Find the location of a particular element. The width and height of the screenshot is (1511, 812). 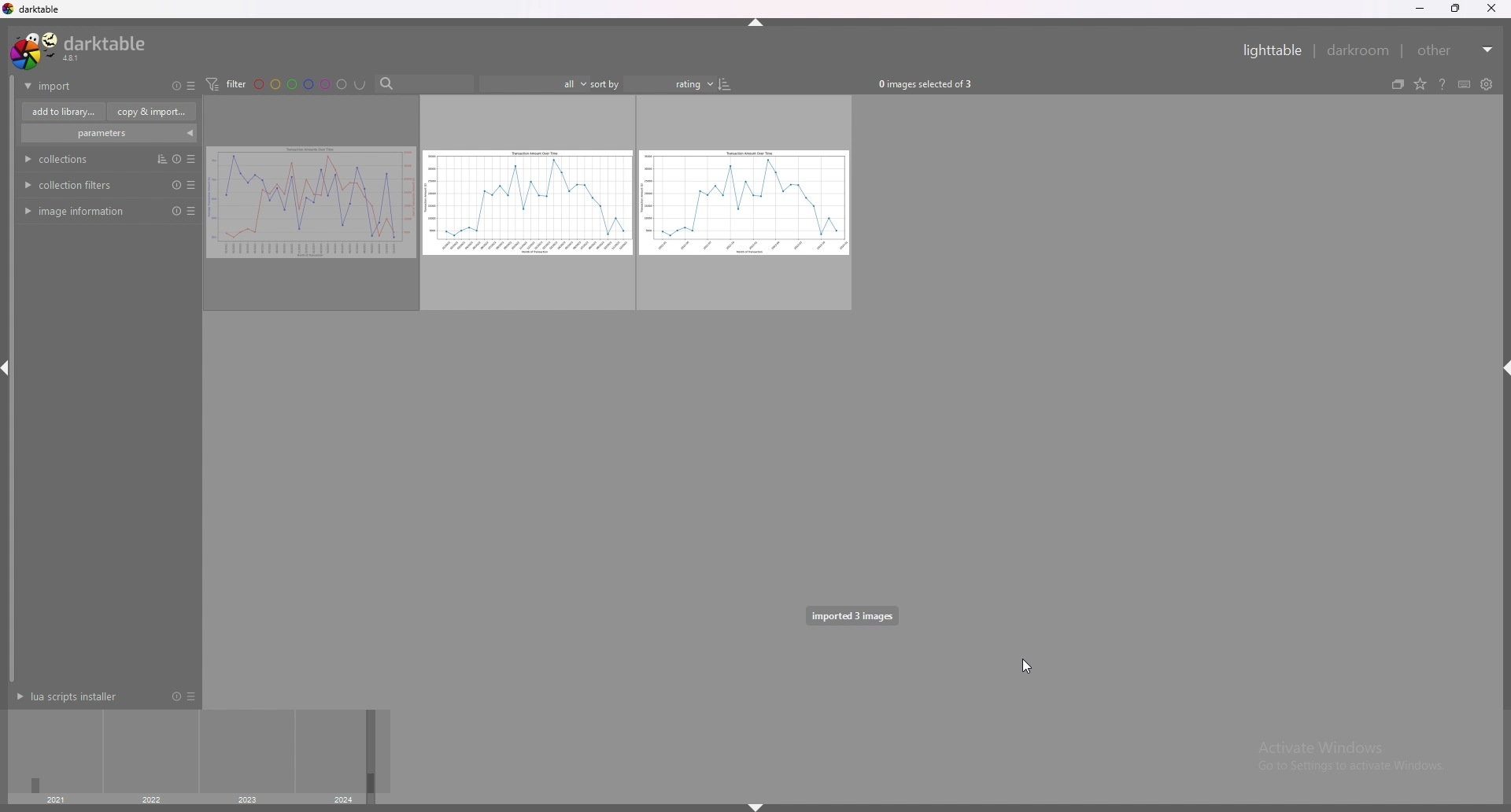

2024 is located at coordinates (345, 800).